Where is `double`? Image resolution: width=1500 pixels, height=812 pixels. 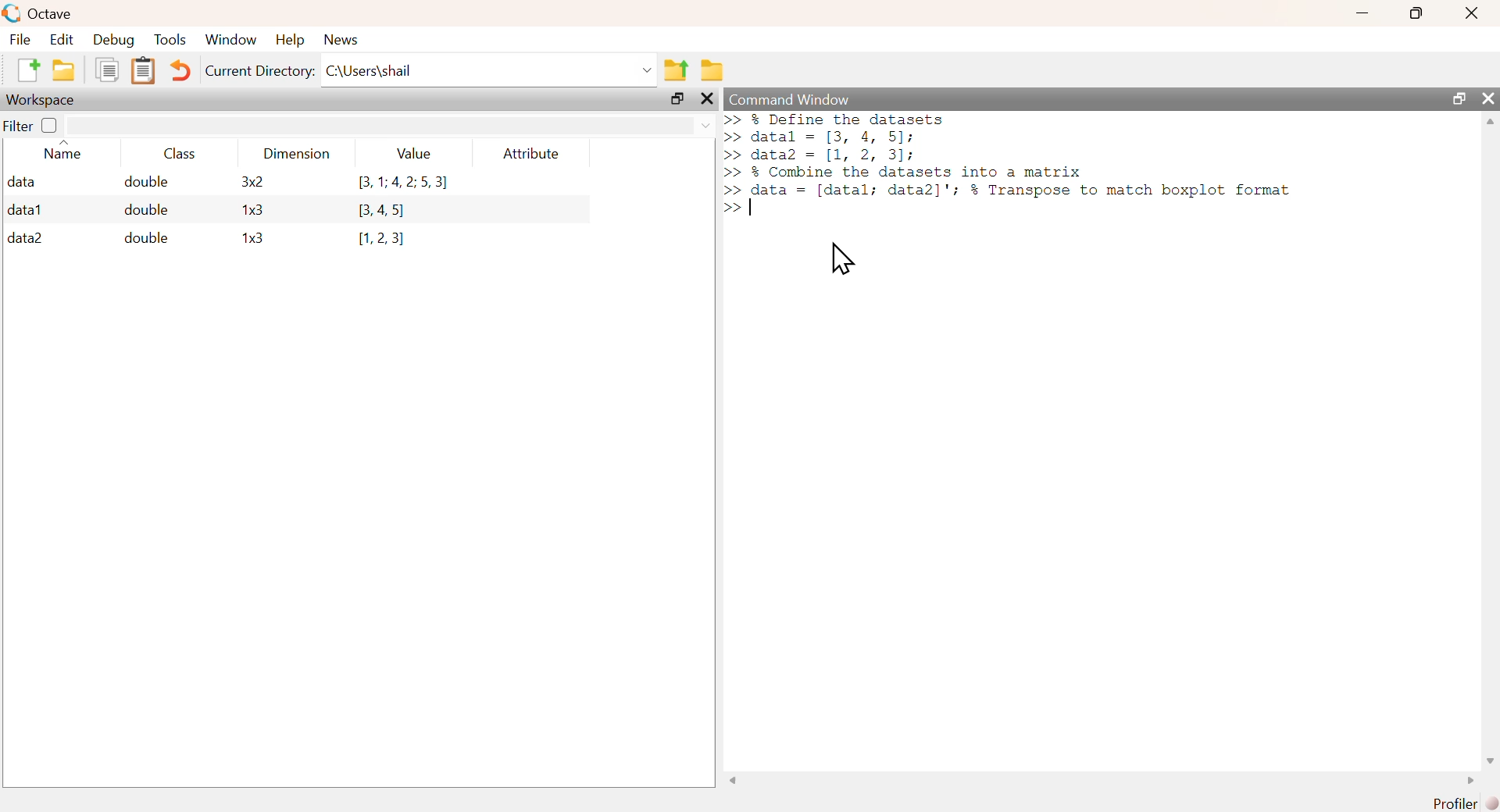 double is located at coordinates (145, 237).